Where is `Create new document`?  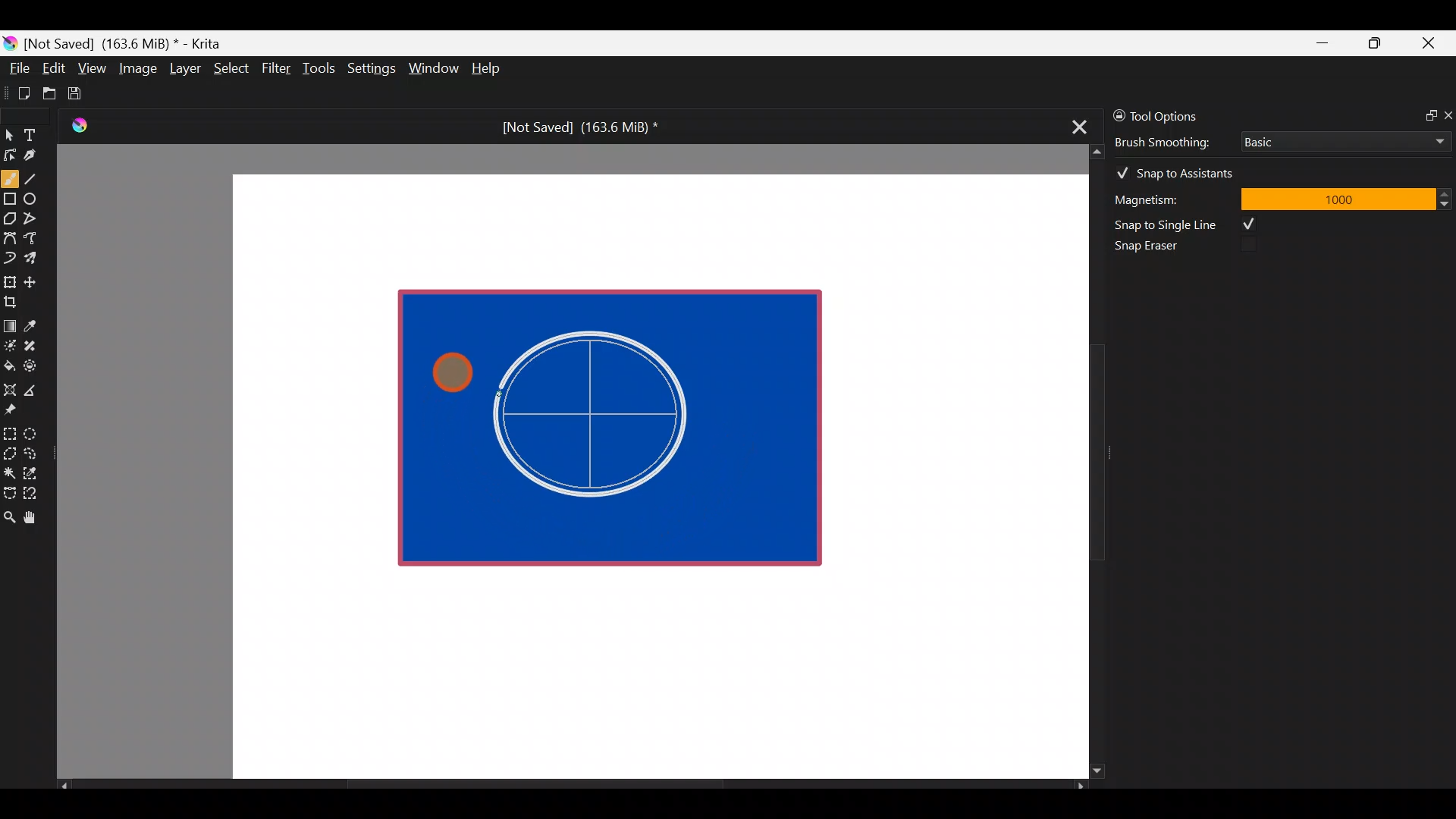
Create new document is located at coordinates (19, 93).